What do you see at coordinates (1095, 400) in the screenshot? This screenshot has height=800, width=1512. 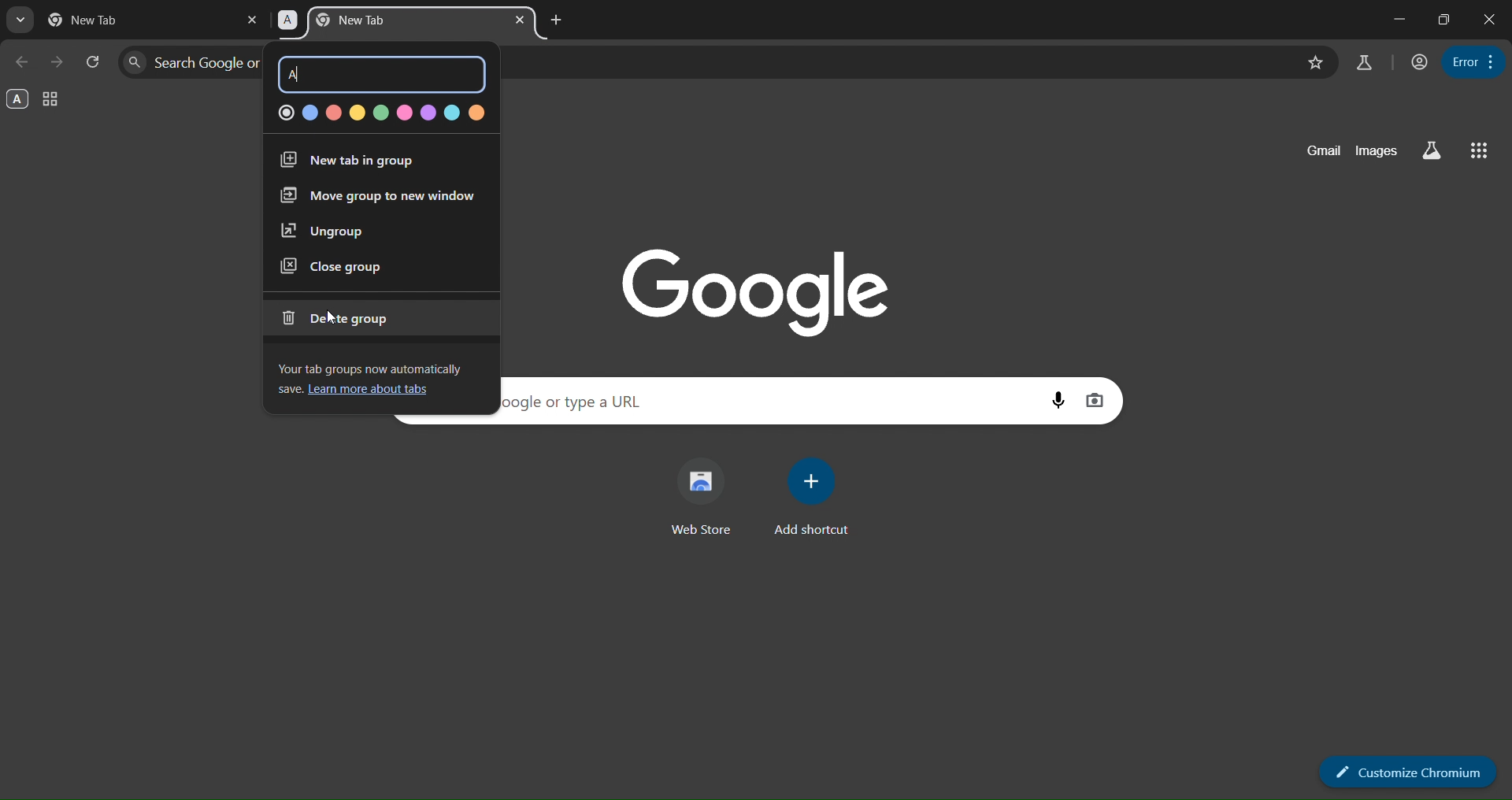 I see `image search` at bounding box center [1095, 400].